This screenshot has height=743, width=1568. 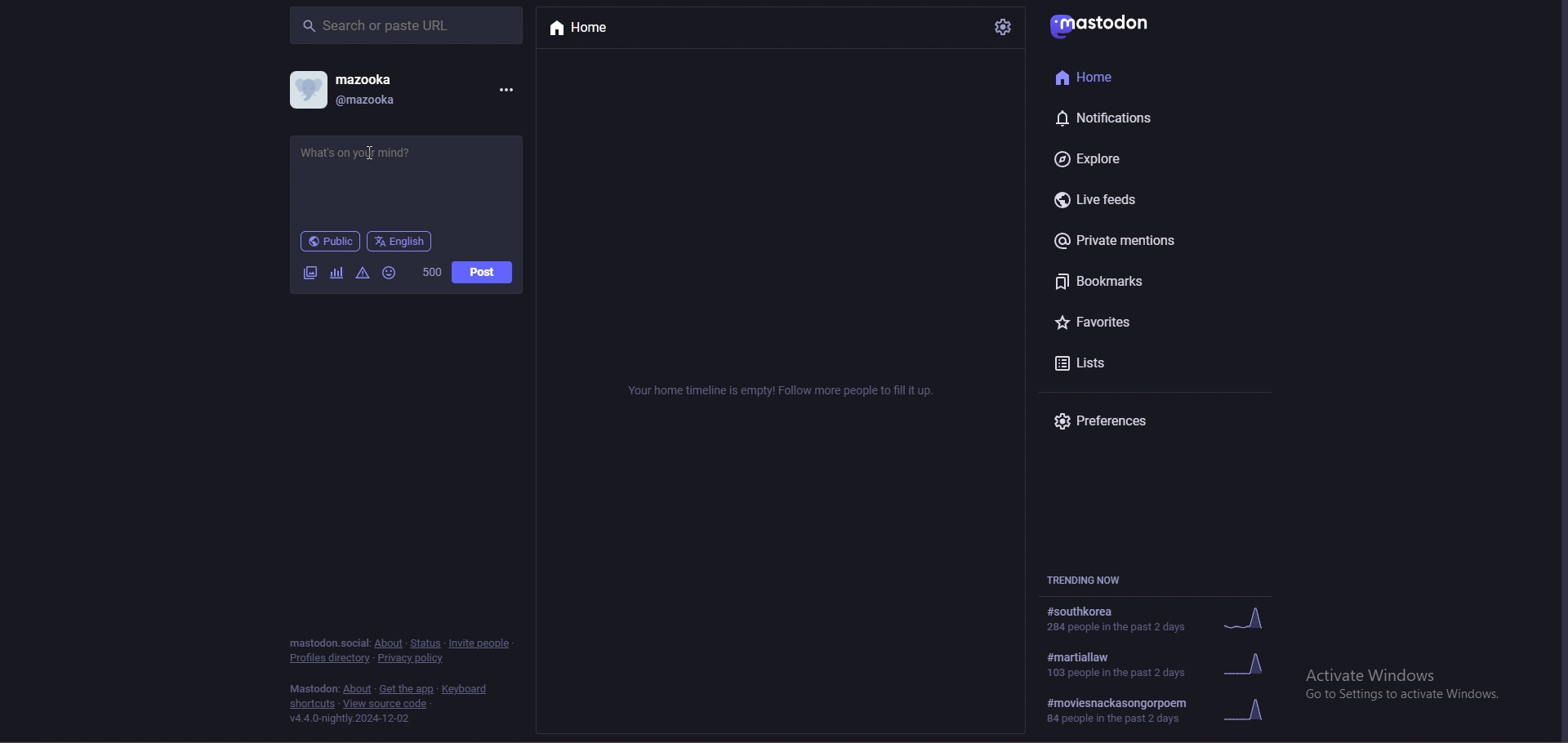 I want to click on bookmarks, so click(x=1137, y=284).